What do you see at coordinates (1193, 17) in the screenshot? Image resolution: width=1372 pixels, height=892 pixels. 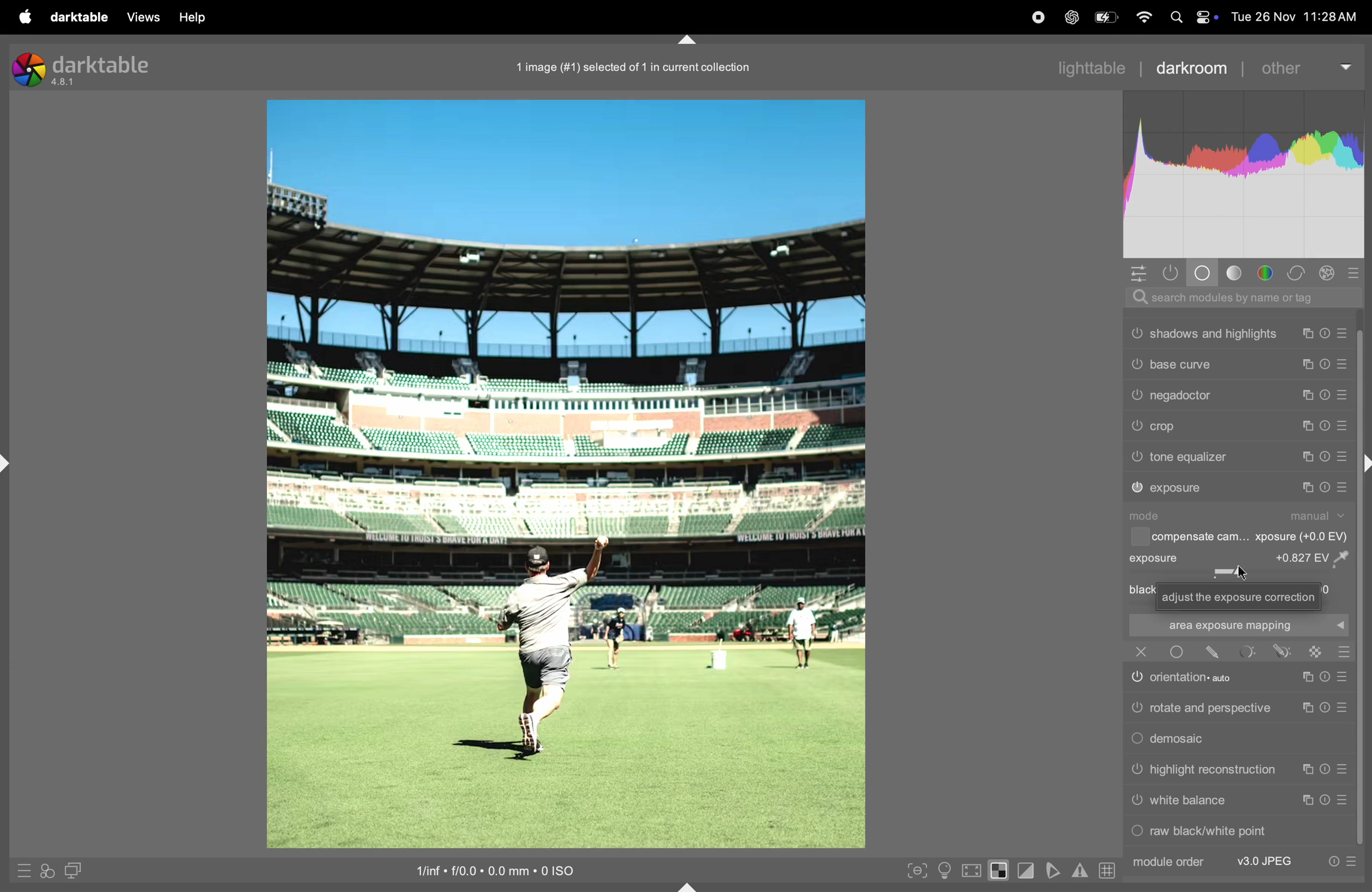 I see `apple widgets` at bounding box center [1193, 17].